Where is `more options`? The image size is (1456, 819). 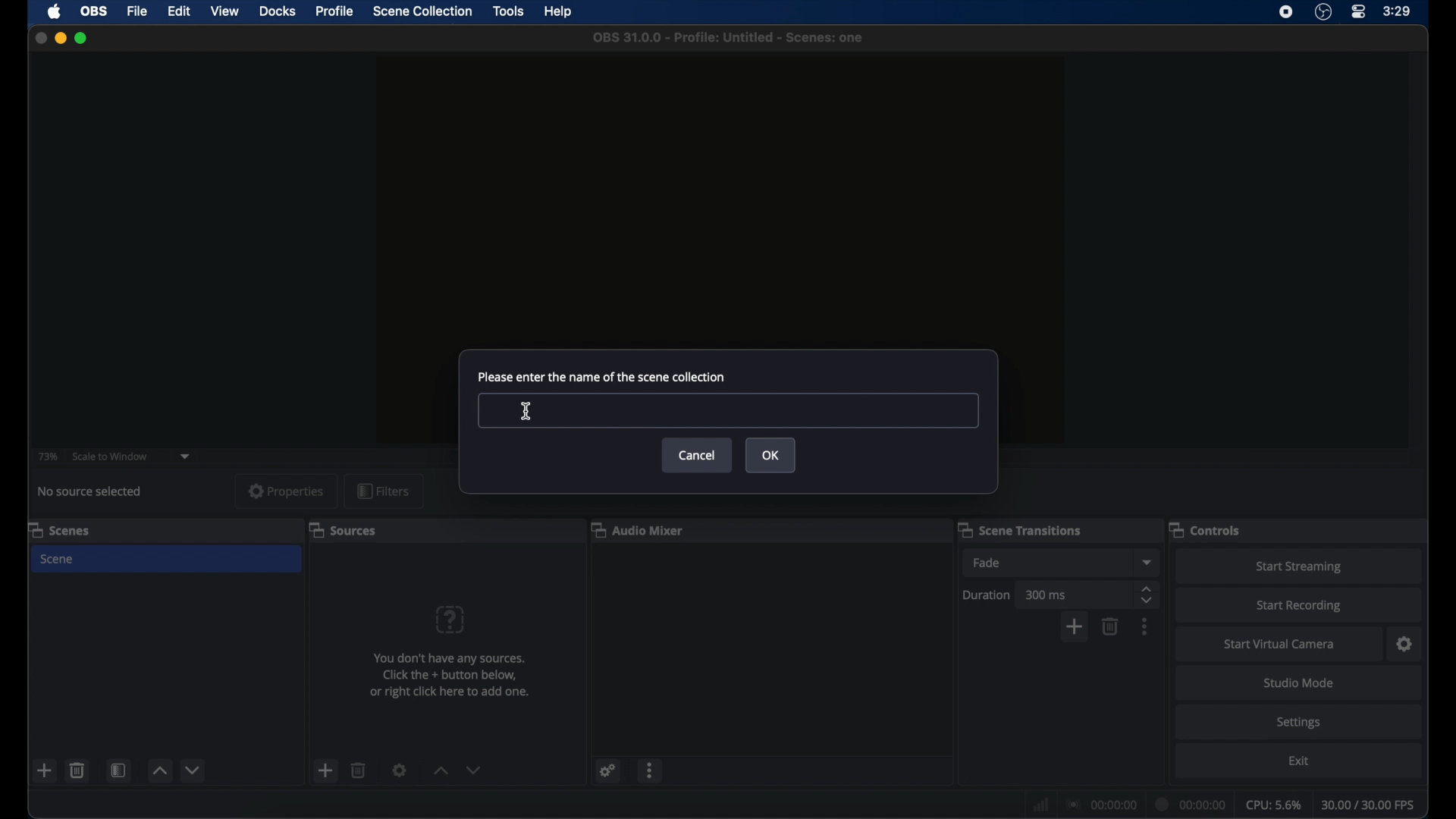 more options is located at coordinates (1145, 626).